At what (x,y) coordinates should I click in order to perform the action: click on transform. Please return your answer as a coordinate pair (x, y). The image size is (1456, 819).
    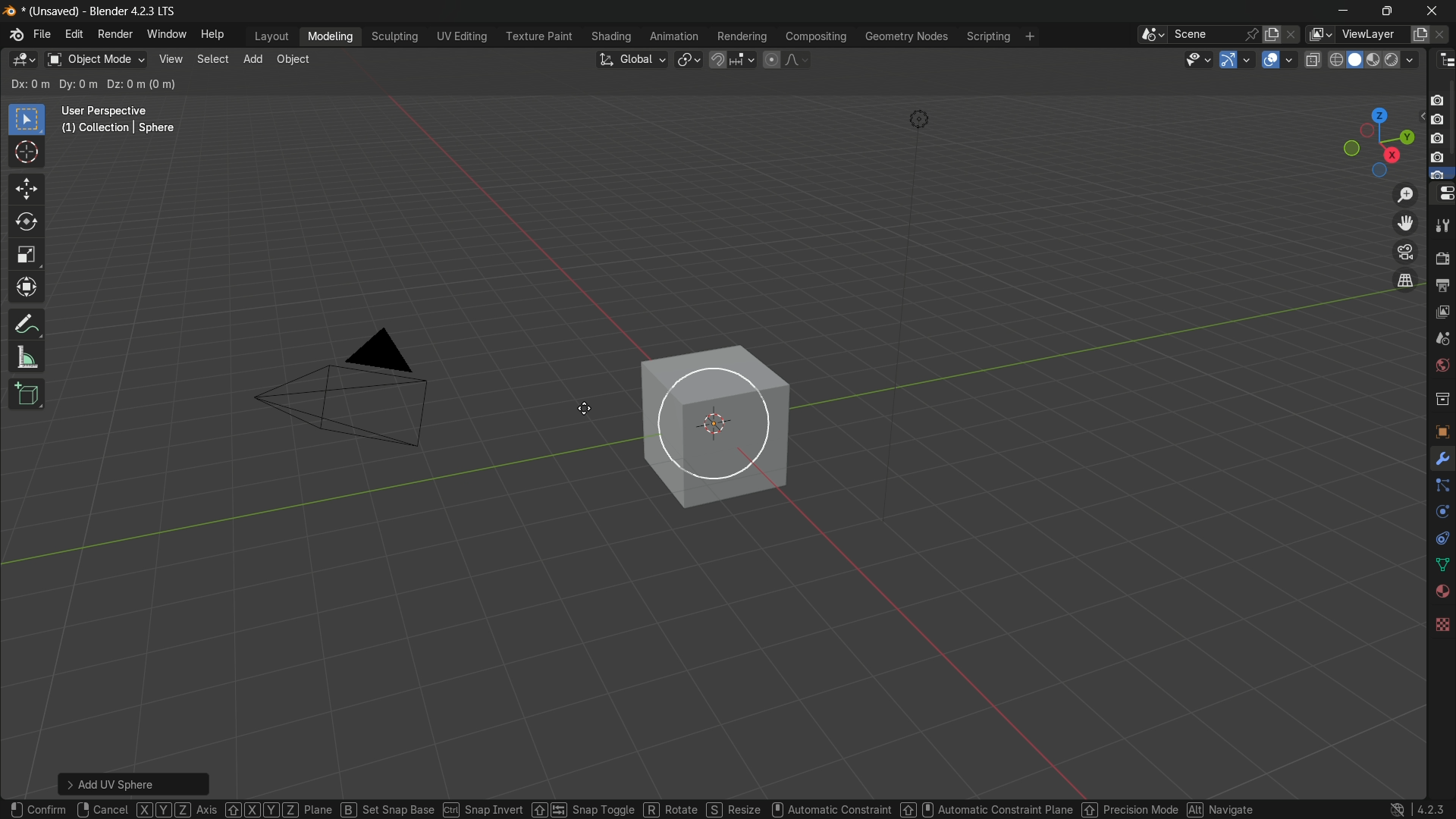
    Looking at the image, I should click on (27, 287).